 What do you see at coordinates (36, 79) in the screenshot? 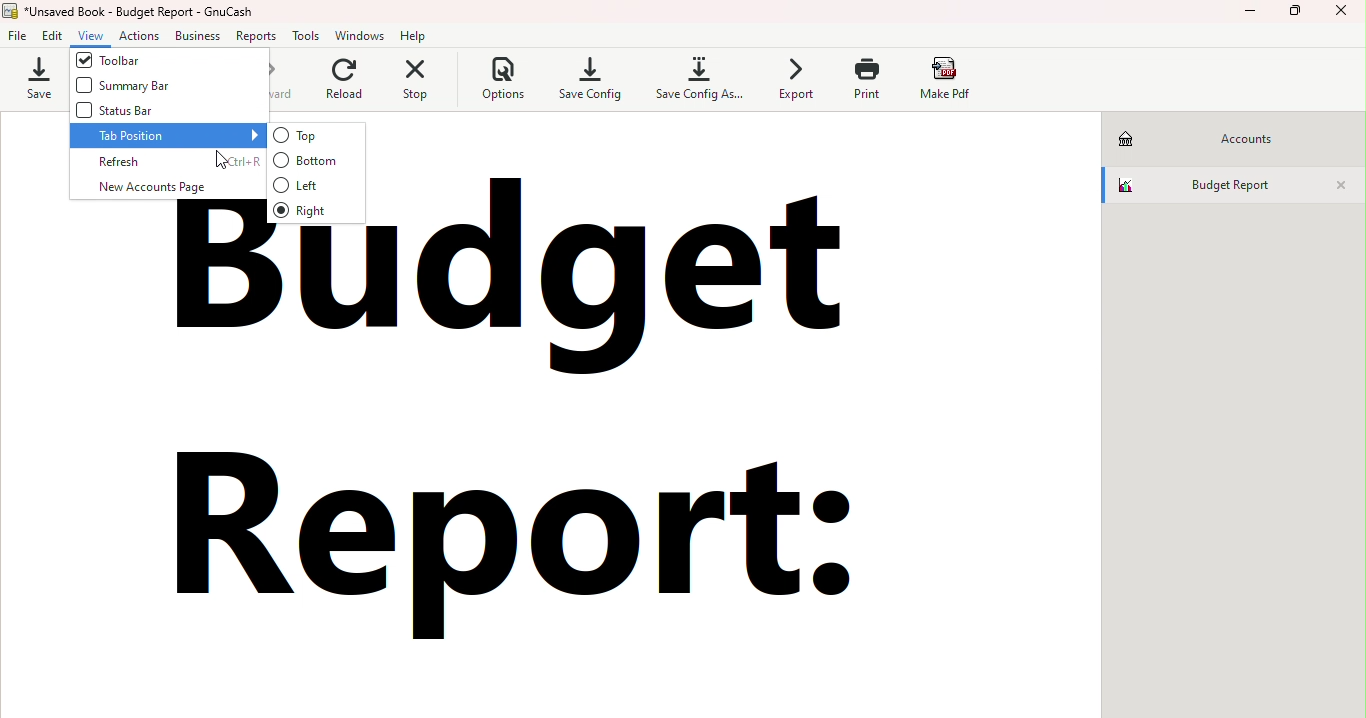
I see `Save` at bounding box center [36, 79].